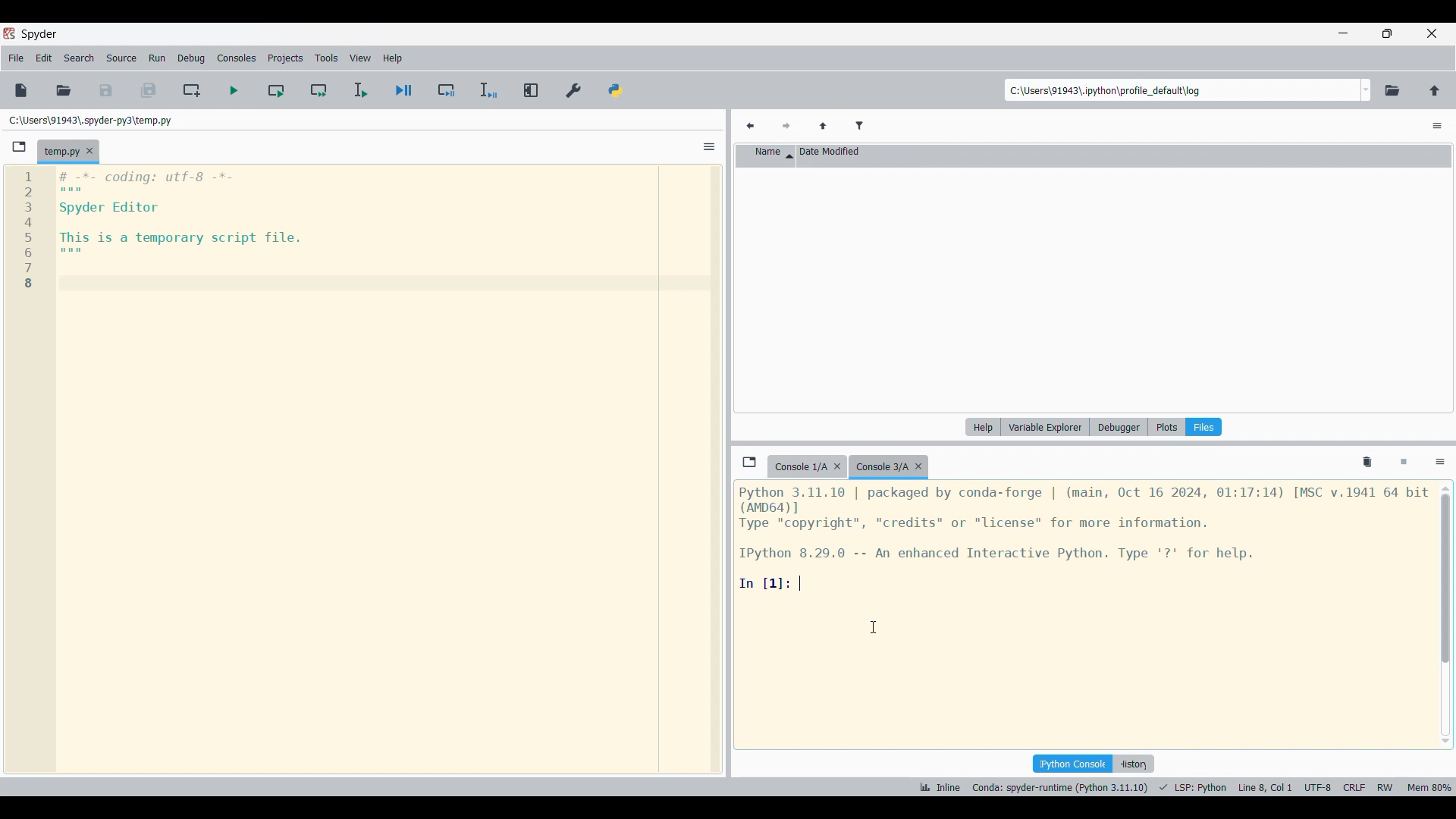 This screenshot has height=819, width=1456. What do you see at coordinates (9, 33) in the screenshot?
I see `Software logo` at bounding box center [9, 33].